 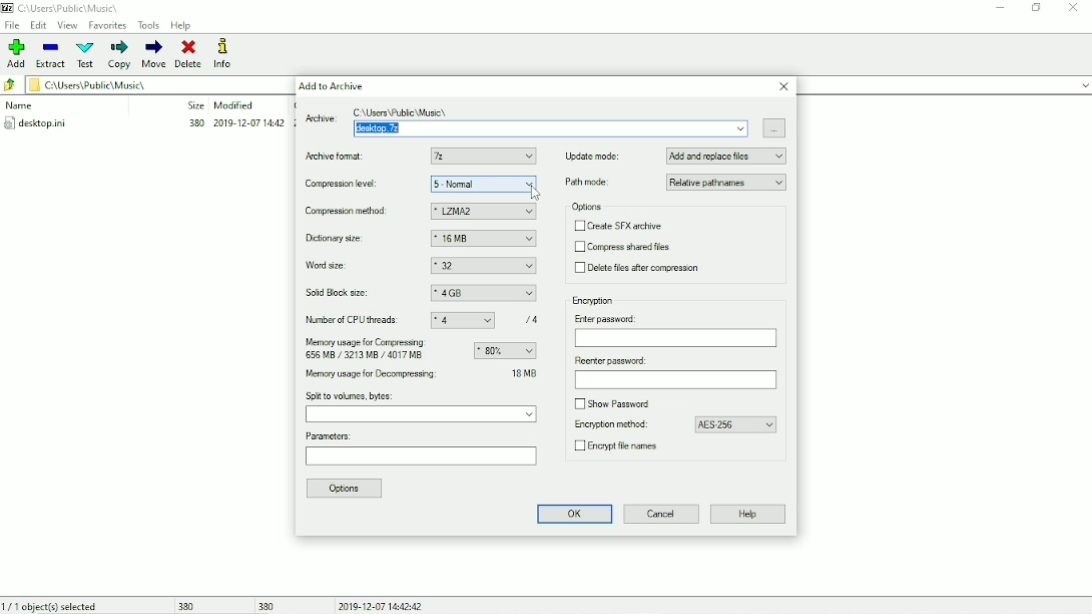 I want to click on 4, so click(x=463, y=321).